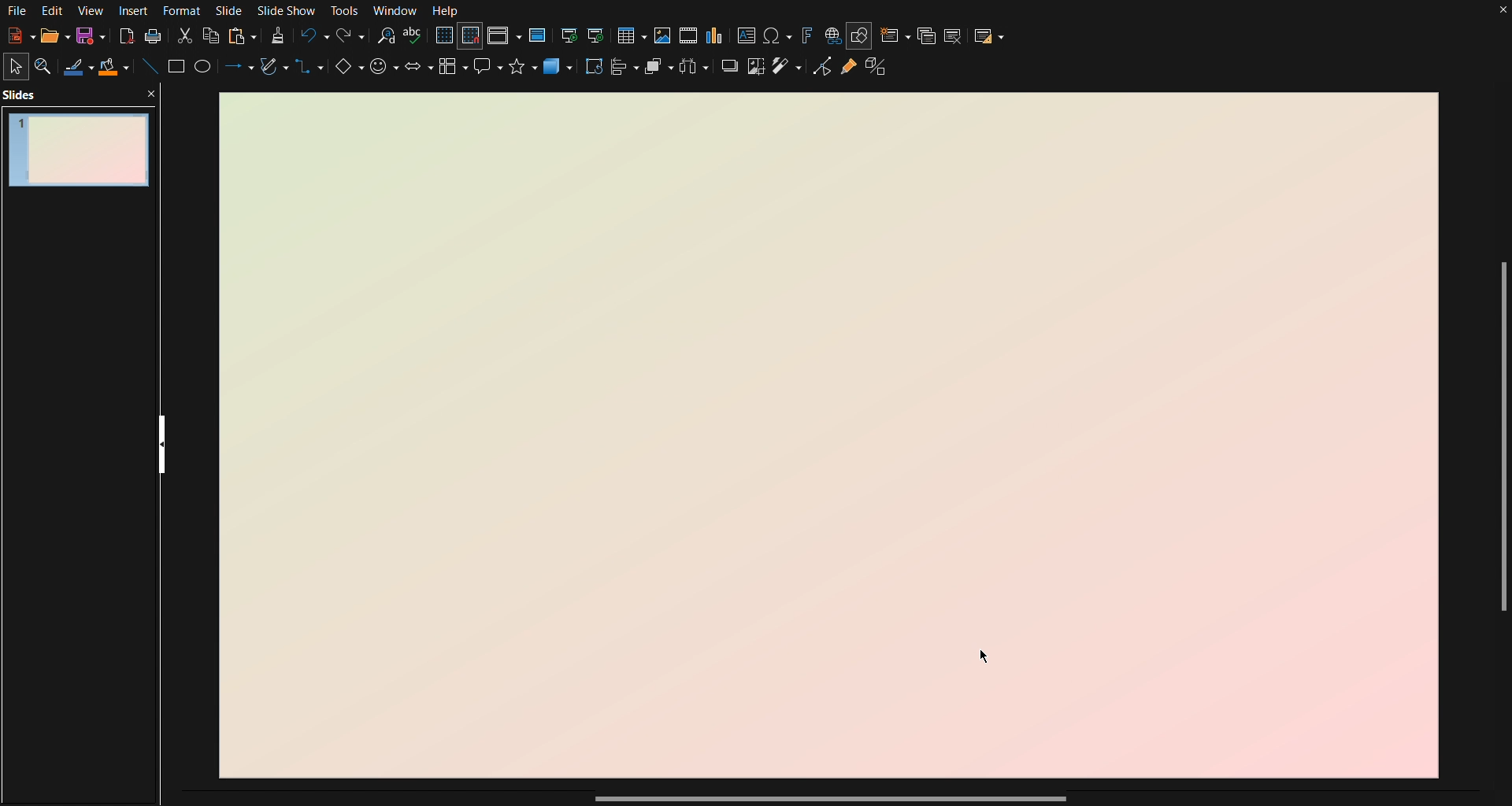 Image resolution: width=1512 pixels, height=806 pixels. I want to click on Flowcharts, so click(454, 72).